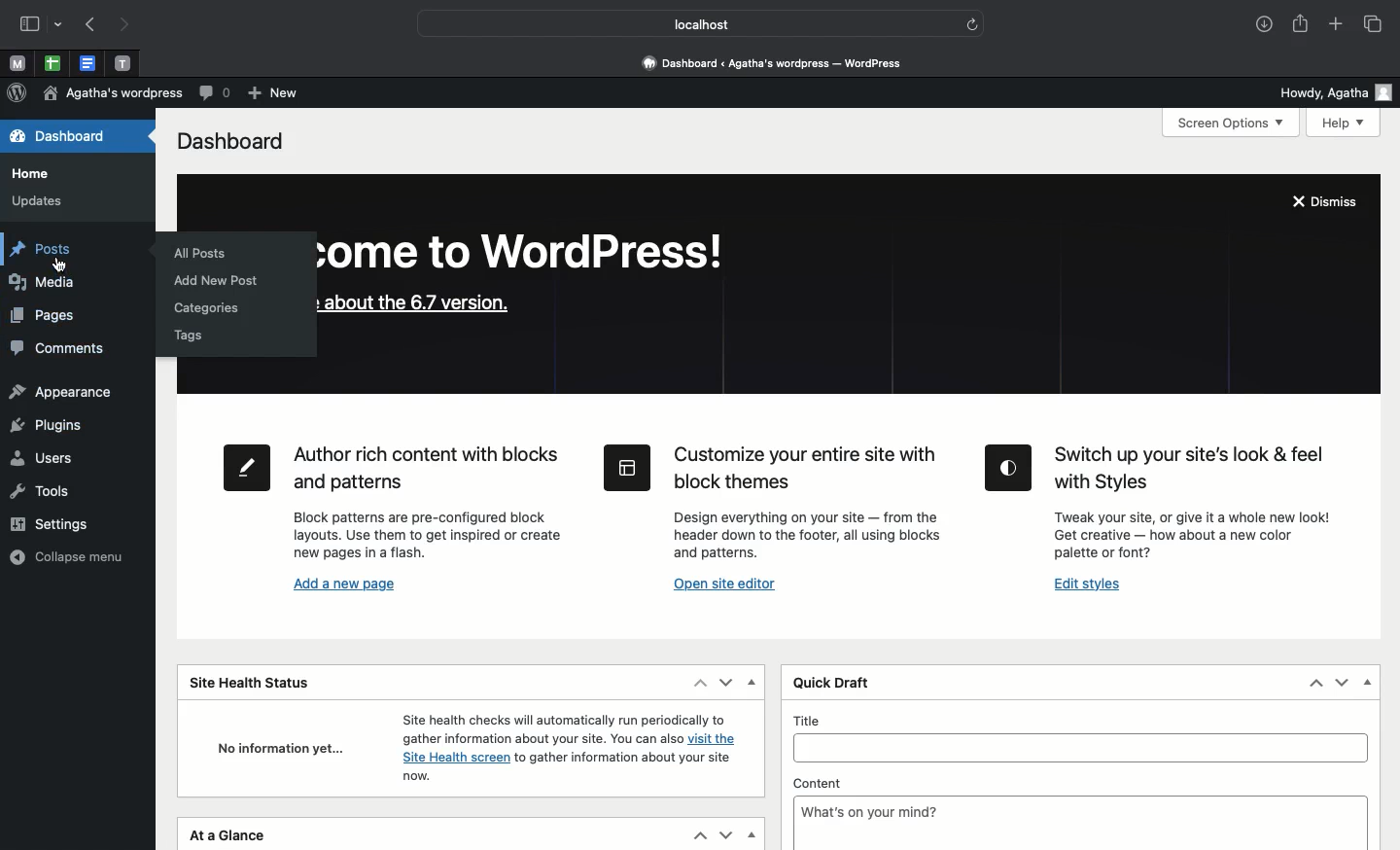 Image resolution: width=1400 pixels, height=850 pixels. What do you see at coordinates (109, 94) in the screenshot?
I see `Agatha's wordpress` at bounding box center [109, 94].